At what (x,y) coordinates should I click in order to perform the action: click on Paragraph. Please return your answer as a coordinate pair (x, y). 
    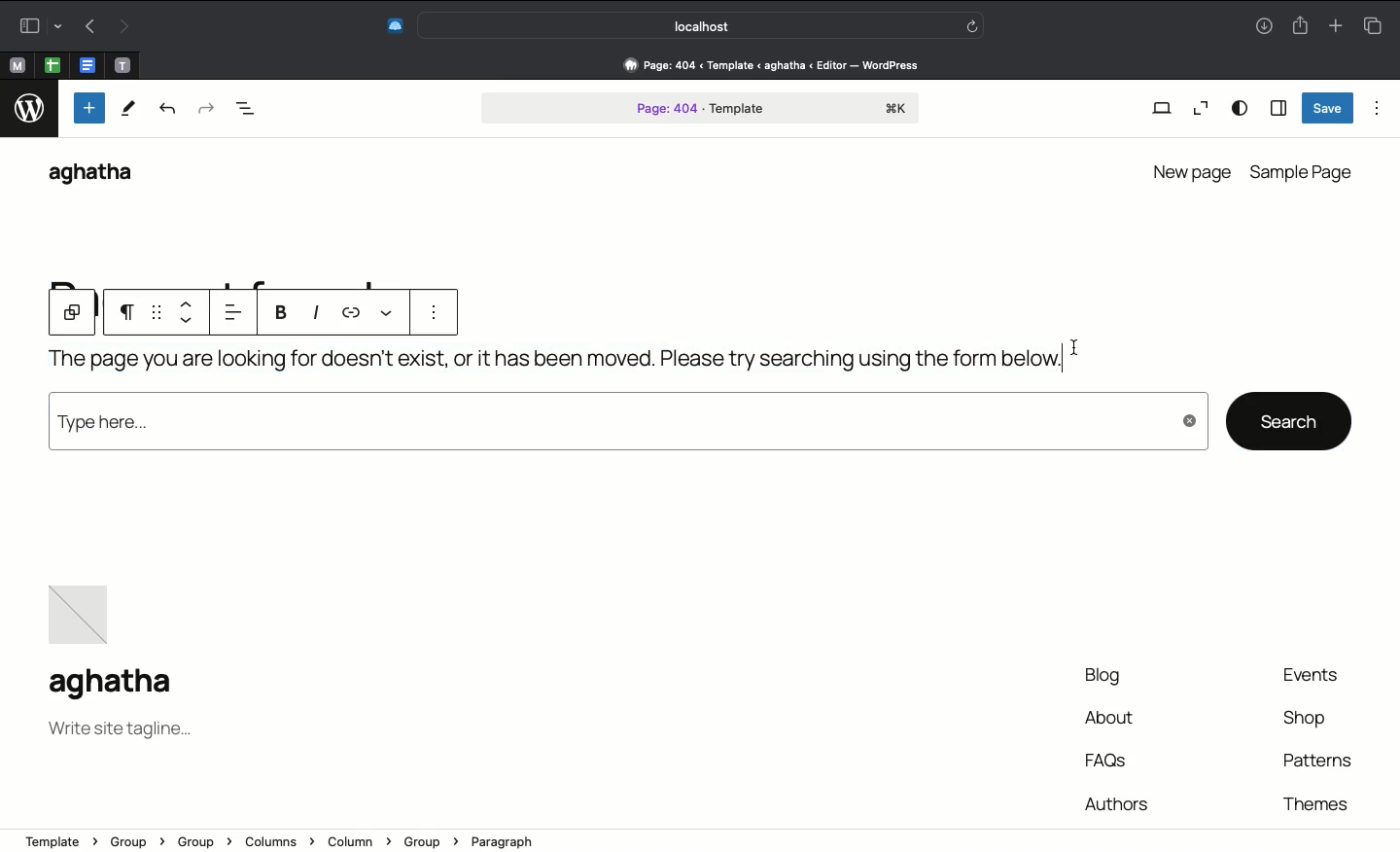
    Looking at the image, I should click on (130, 315).